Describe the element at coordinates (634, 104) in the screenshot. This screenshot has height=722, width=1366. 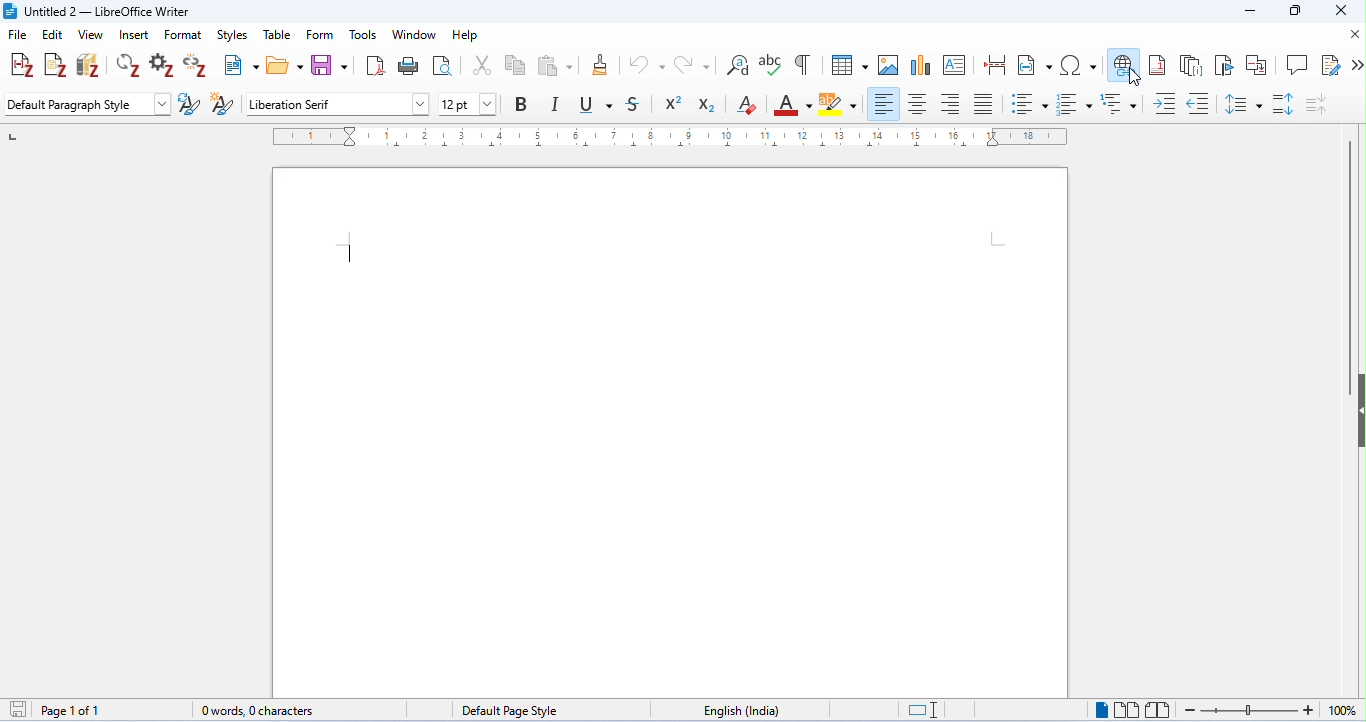
I see `strikethrough` at that location.